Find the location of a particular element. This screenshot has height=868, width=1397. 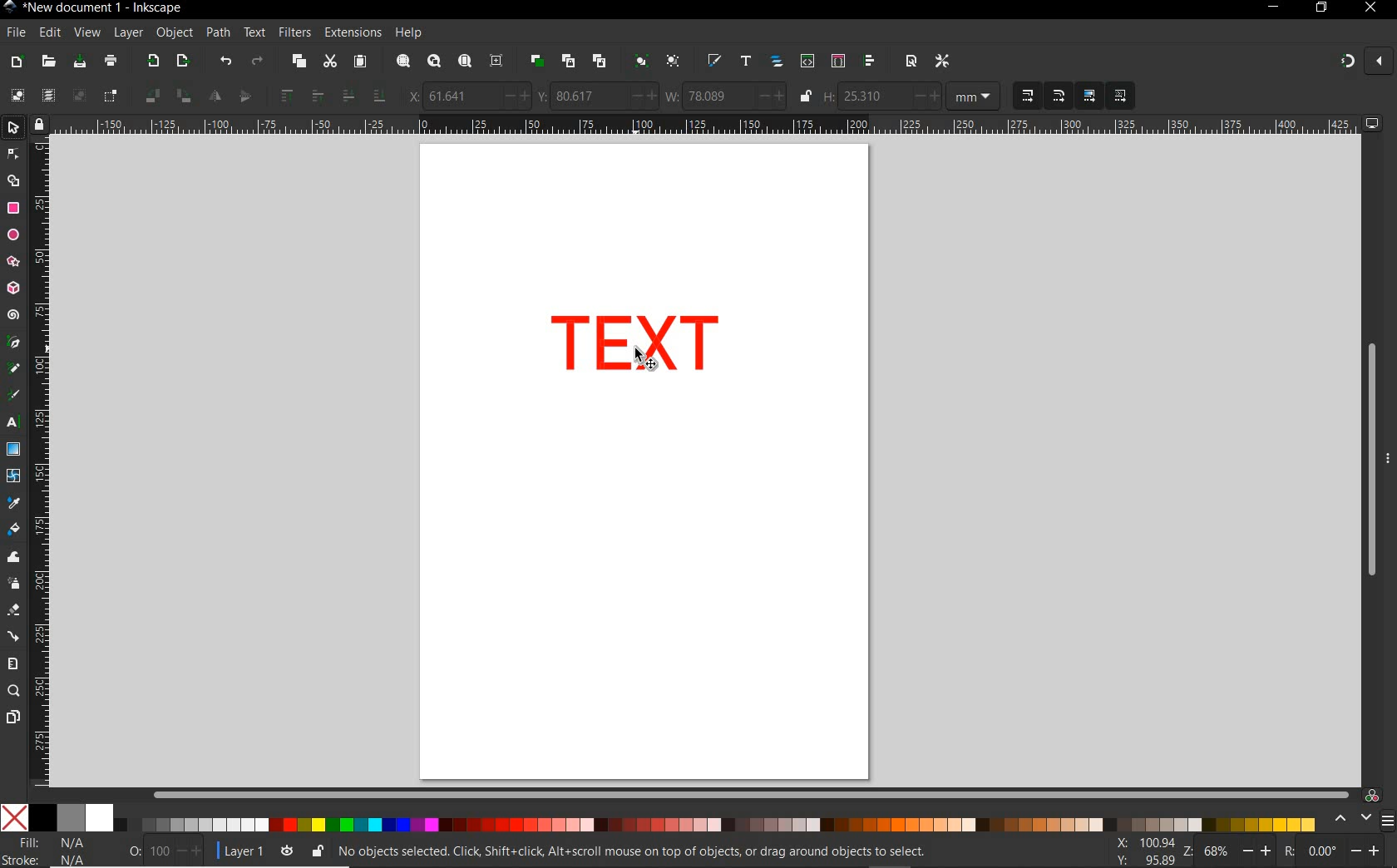

RESTORE DOWN is located at coordinates (1320, 8).